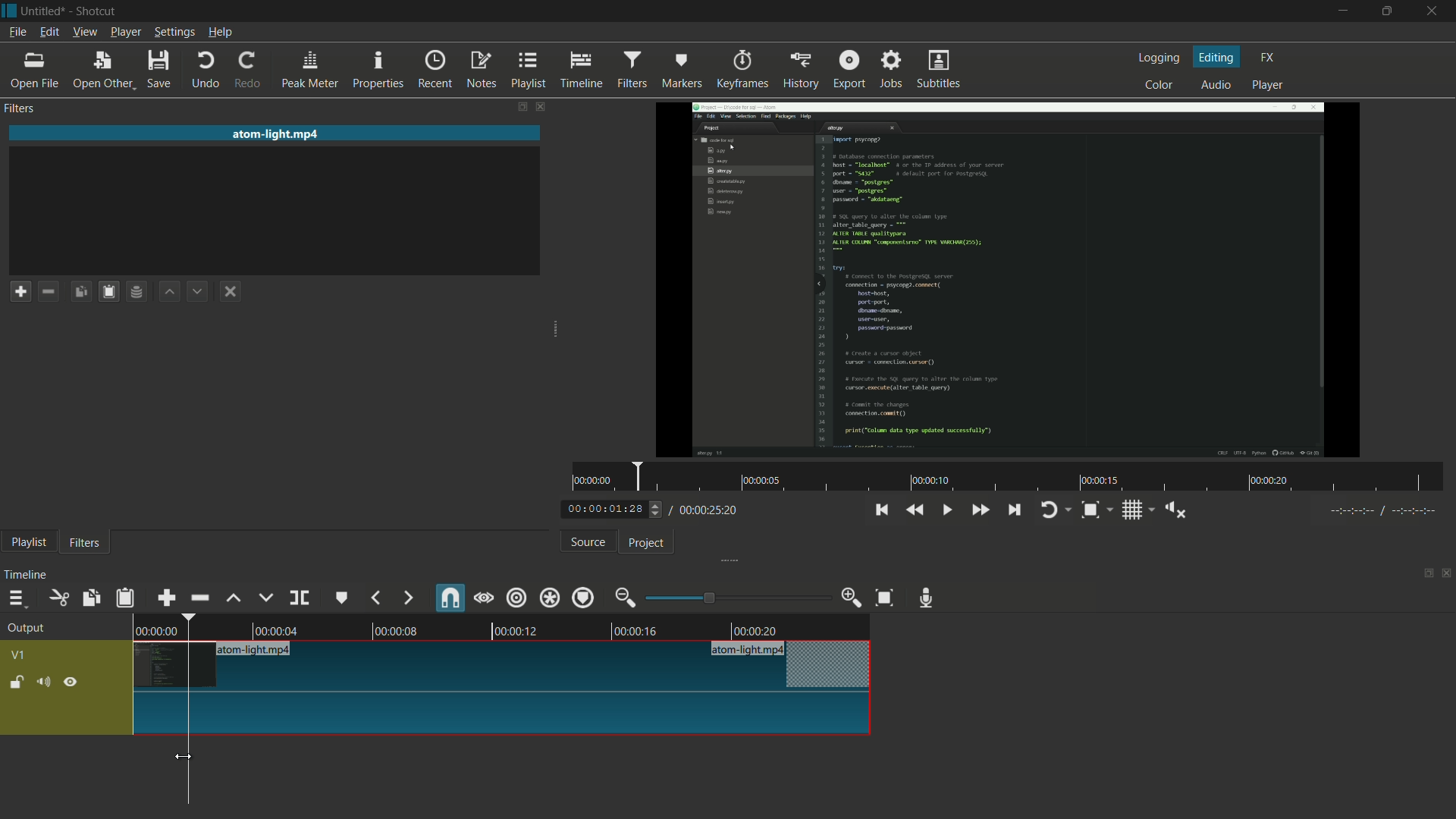  What do you see at coordinates (438, 70) in the screenshot?
I see `recent` at bounding box center [438, 70].